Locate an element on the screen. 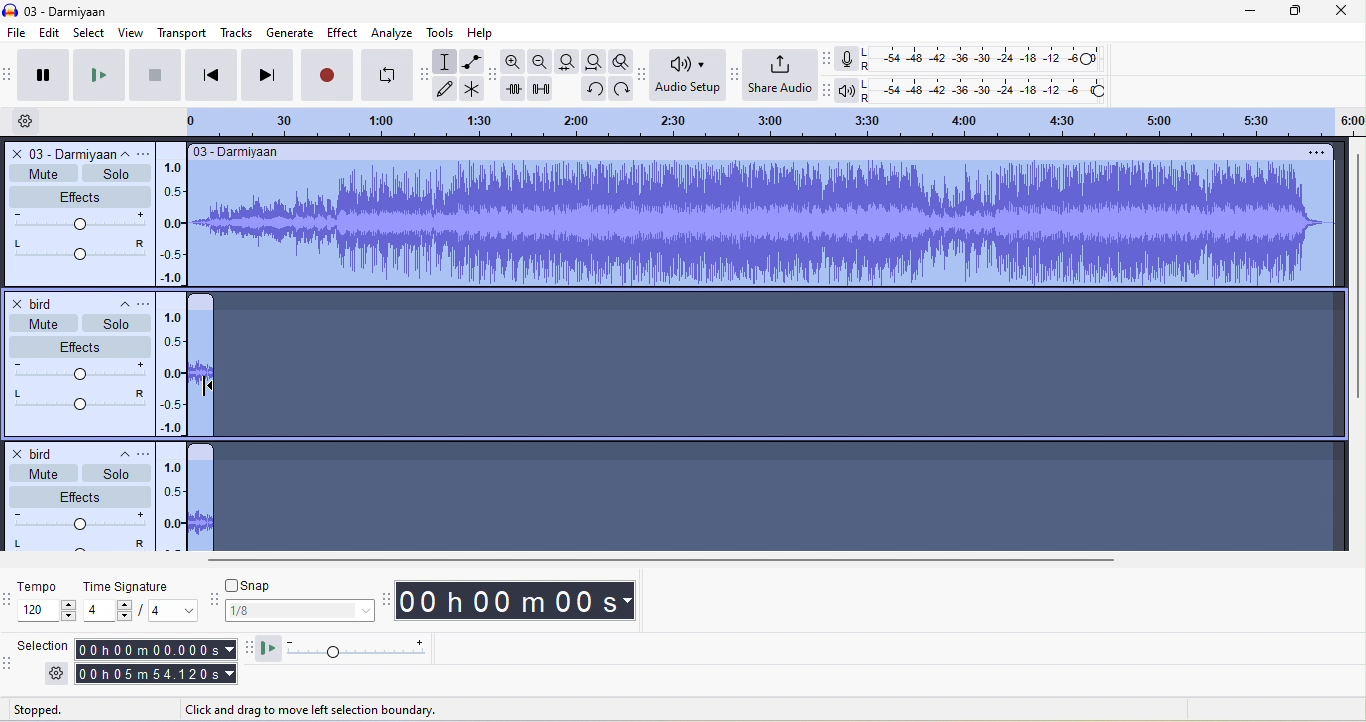 The image size is (1366, 722). 03- darmiyaan is located at coordinates (242, 152).